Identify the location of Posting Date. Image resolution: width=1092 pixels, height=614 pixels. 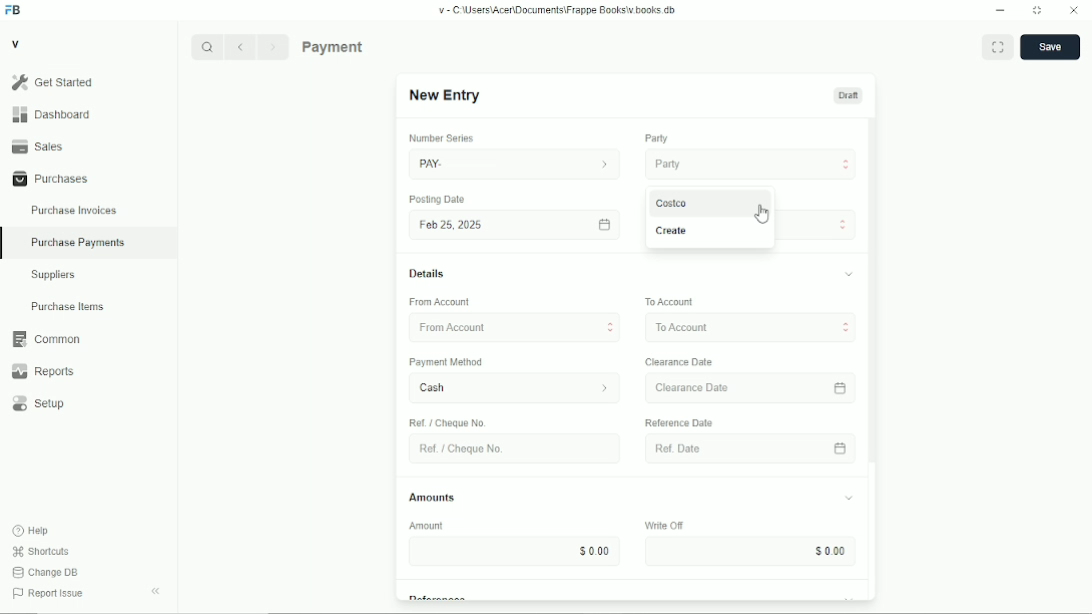
(438, 200).